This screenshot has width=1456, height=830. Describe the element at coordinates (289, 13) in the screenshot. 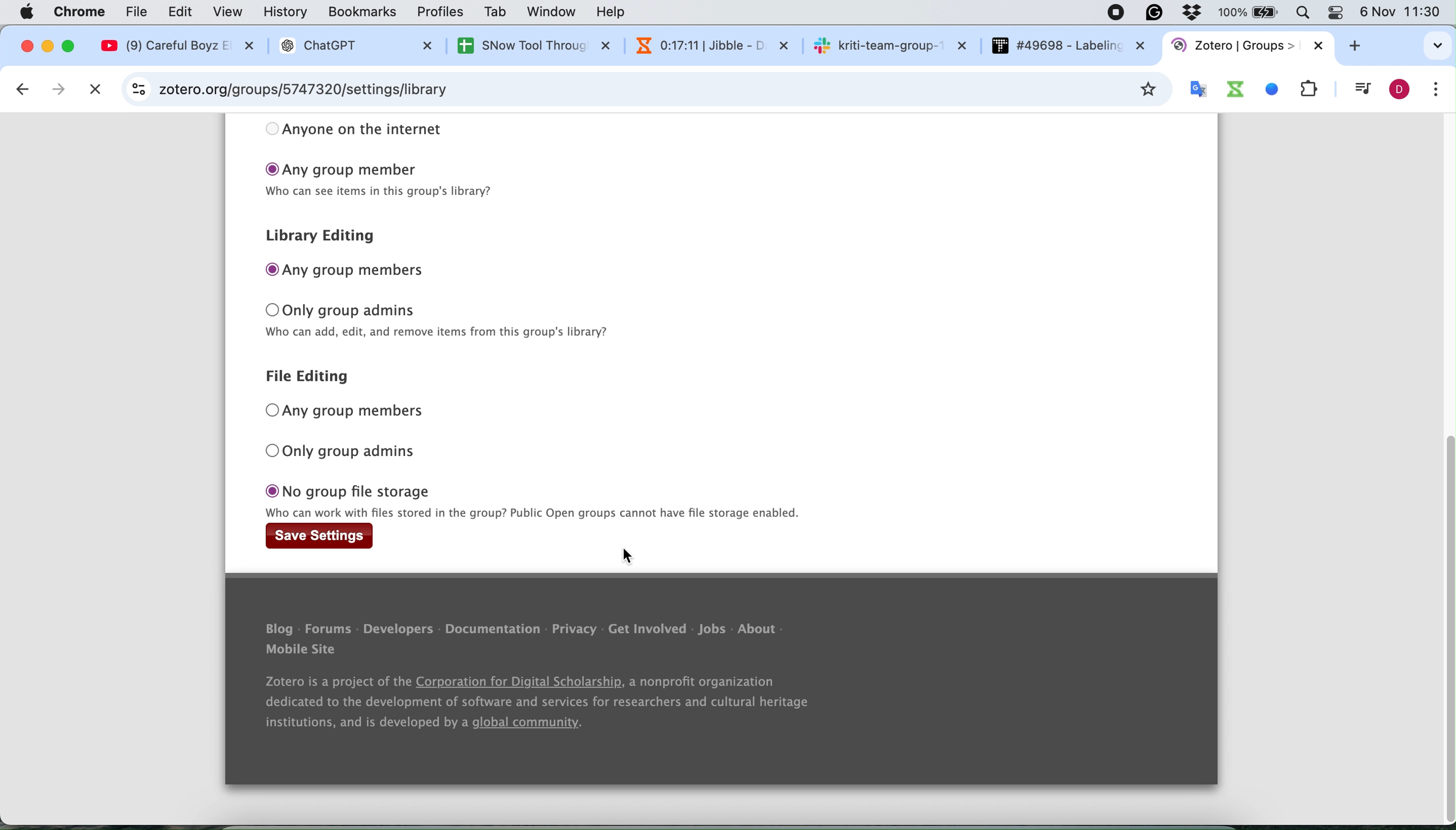

I see `history` at that location.